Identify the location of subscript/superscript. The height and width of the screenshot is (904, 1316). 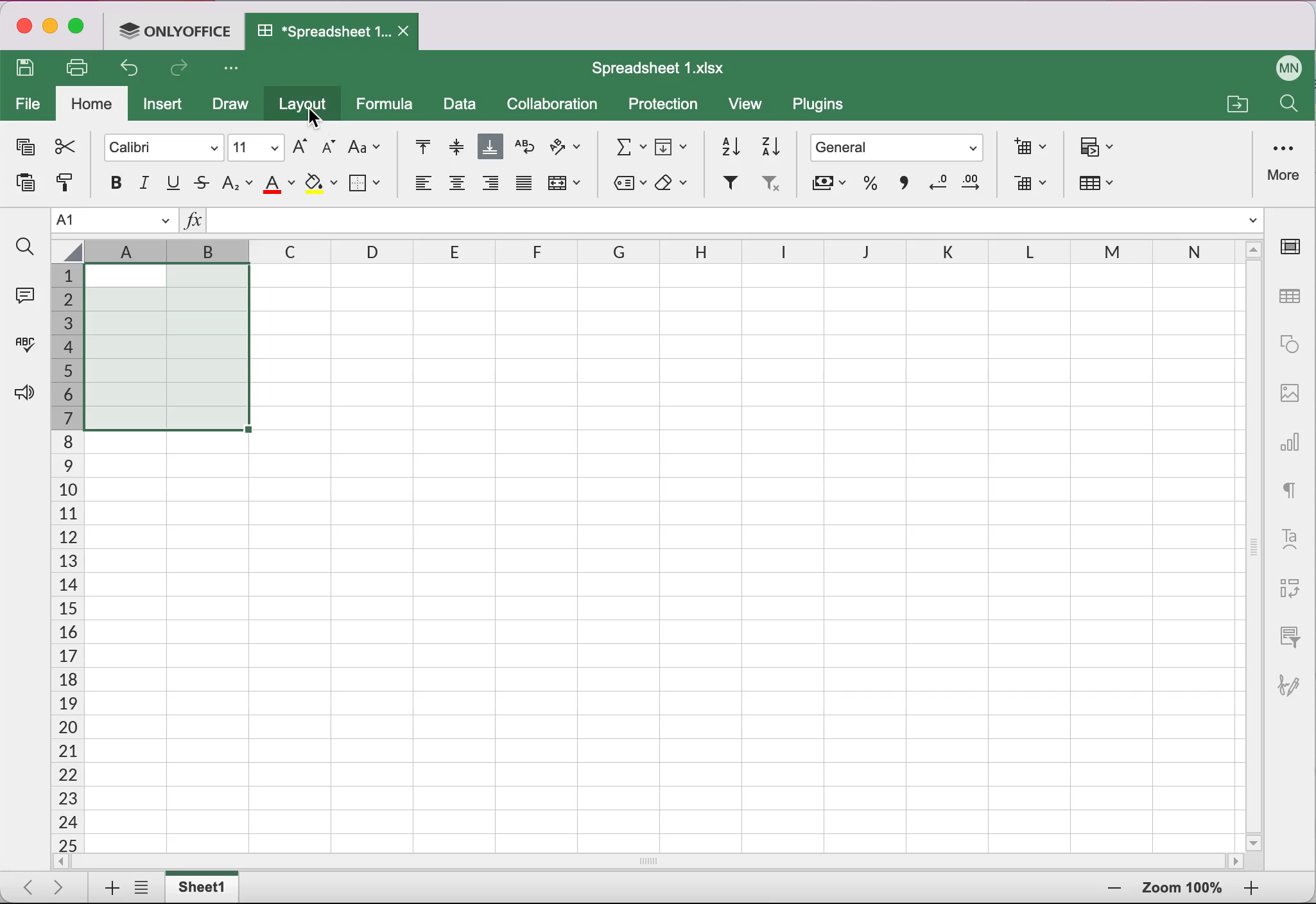
(238, 182).